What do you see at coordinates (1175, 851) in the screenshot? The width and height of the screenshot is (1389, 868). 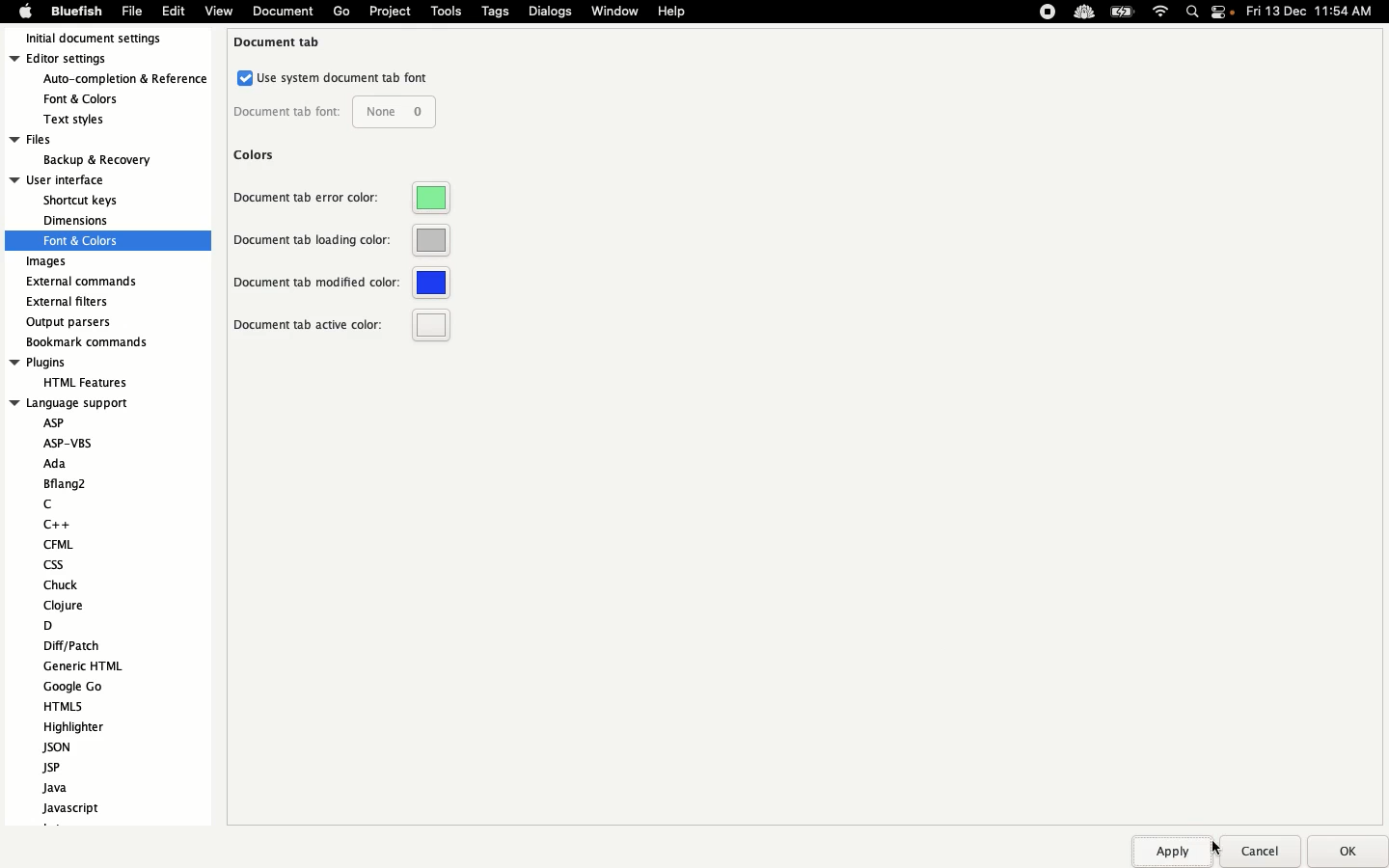 I see `Apply` at bounding box center [1175, 851].